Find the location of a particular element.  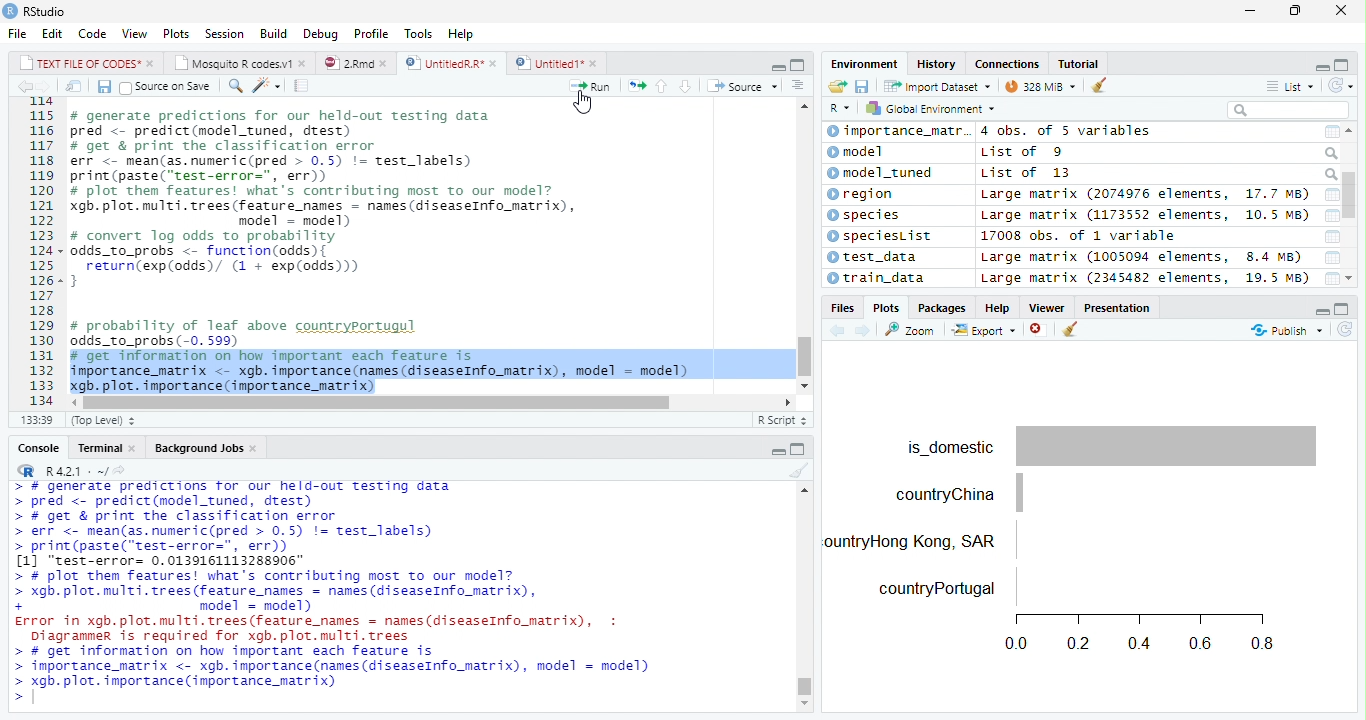

Down is located at coordinates (685, 85).